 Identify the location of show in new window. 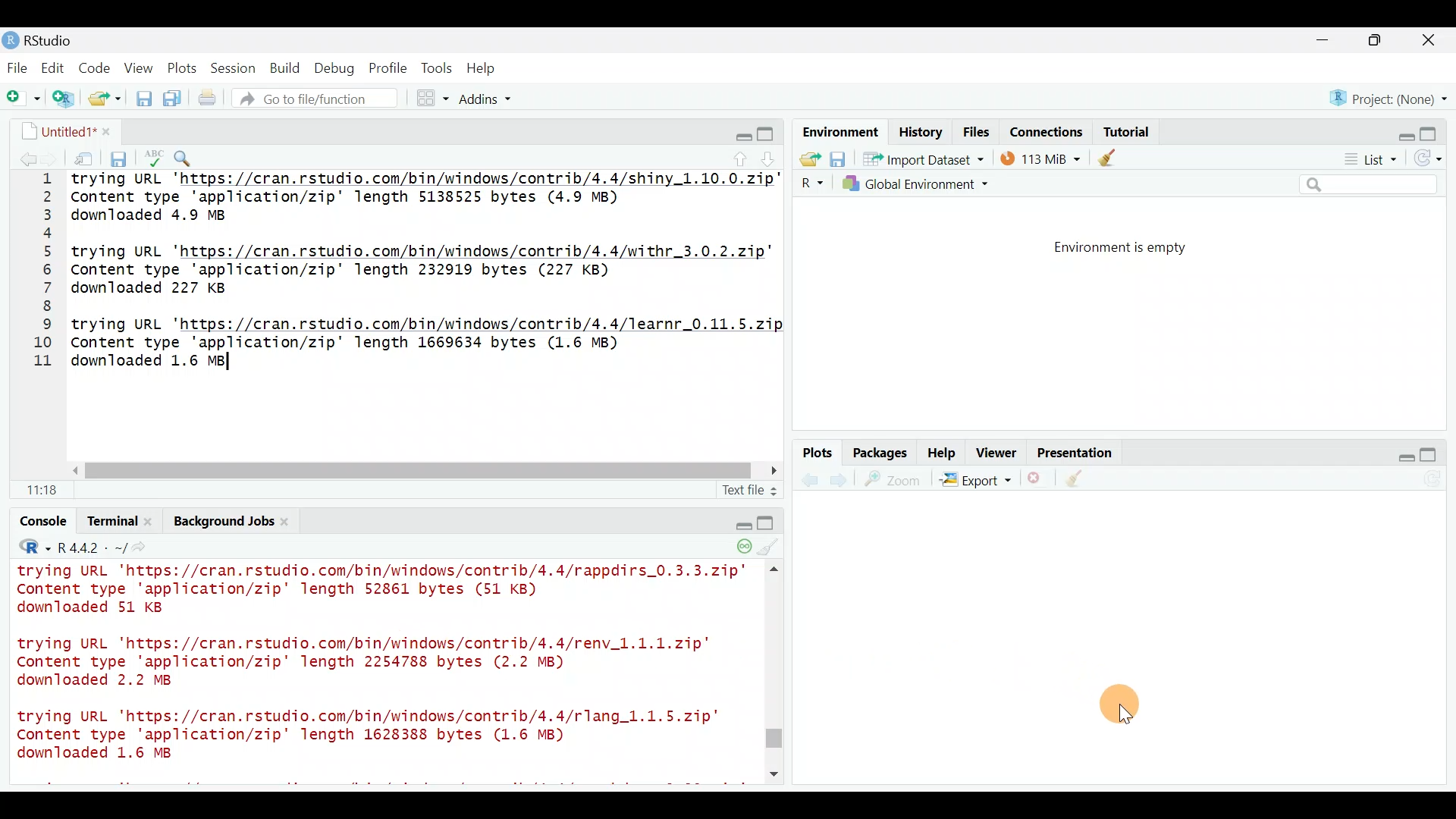
(85, 156).